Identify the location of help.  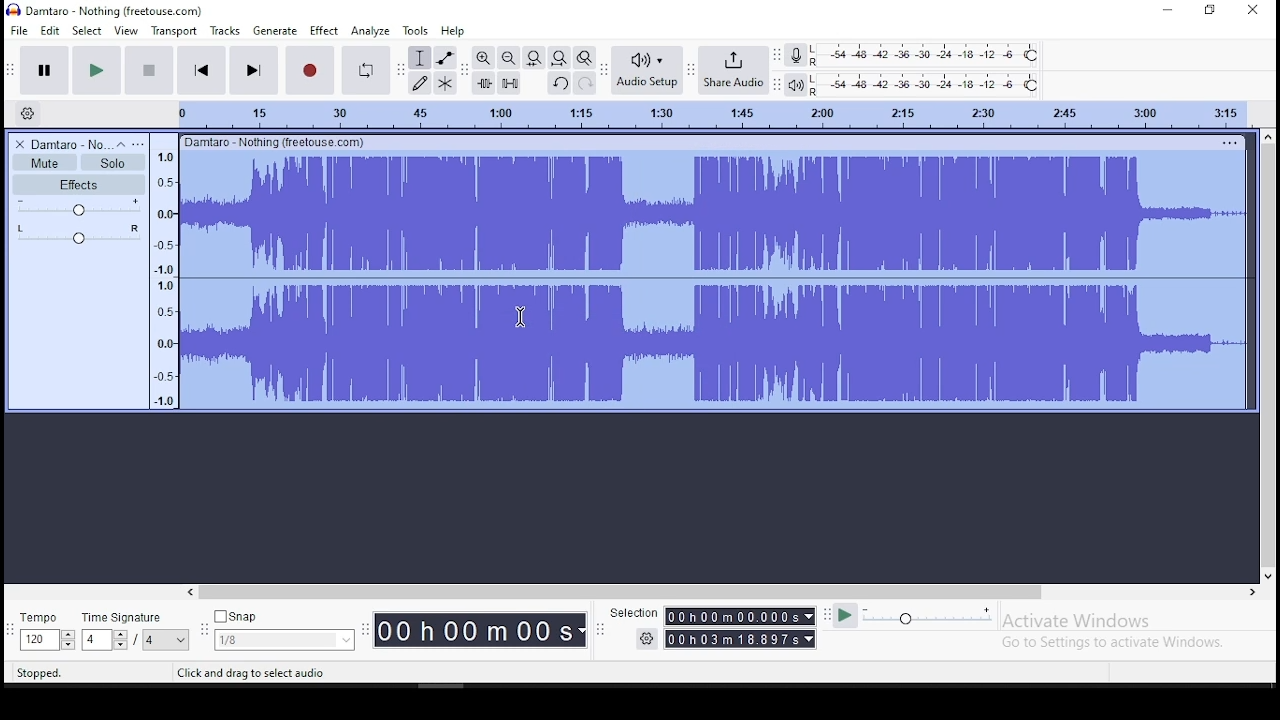
(453, 30).